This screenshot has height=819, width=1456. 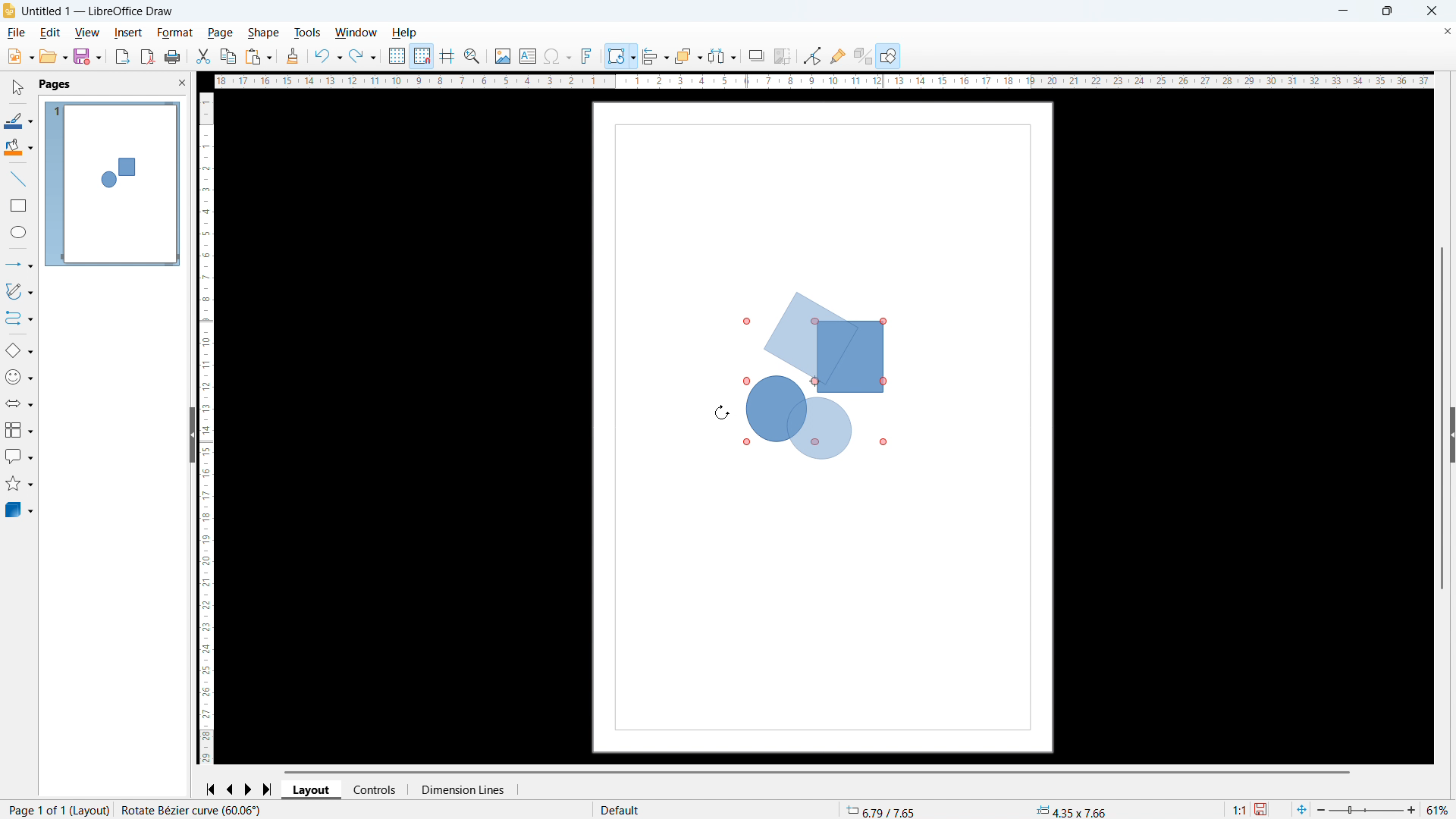 What do you see at coordinates (504, 55) in the screenshot?
I see `Insert image ` at bounding box center [504, 55].